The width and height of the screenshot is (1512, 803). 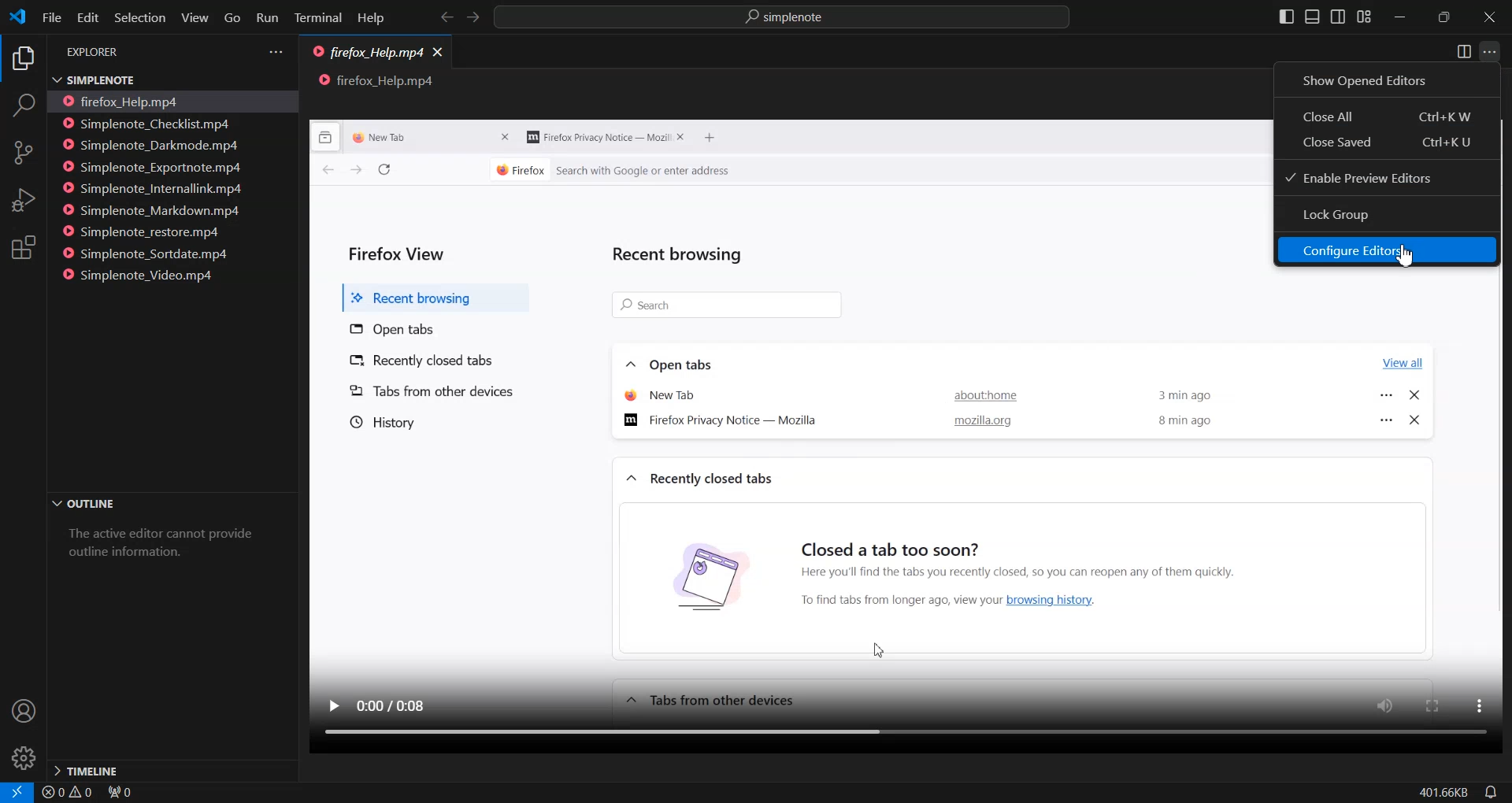 I want to click on Maximize, so click(x=1444, y=17).